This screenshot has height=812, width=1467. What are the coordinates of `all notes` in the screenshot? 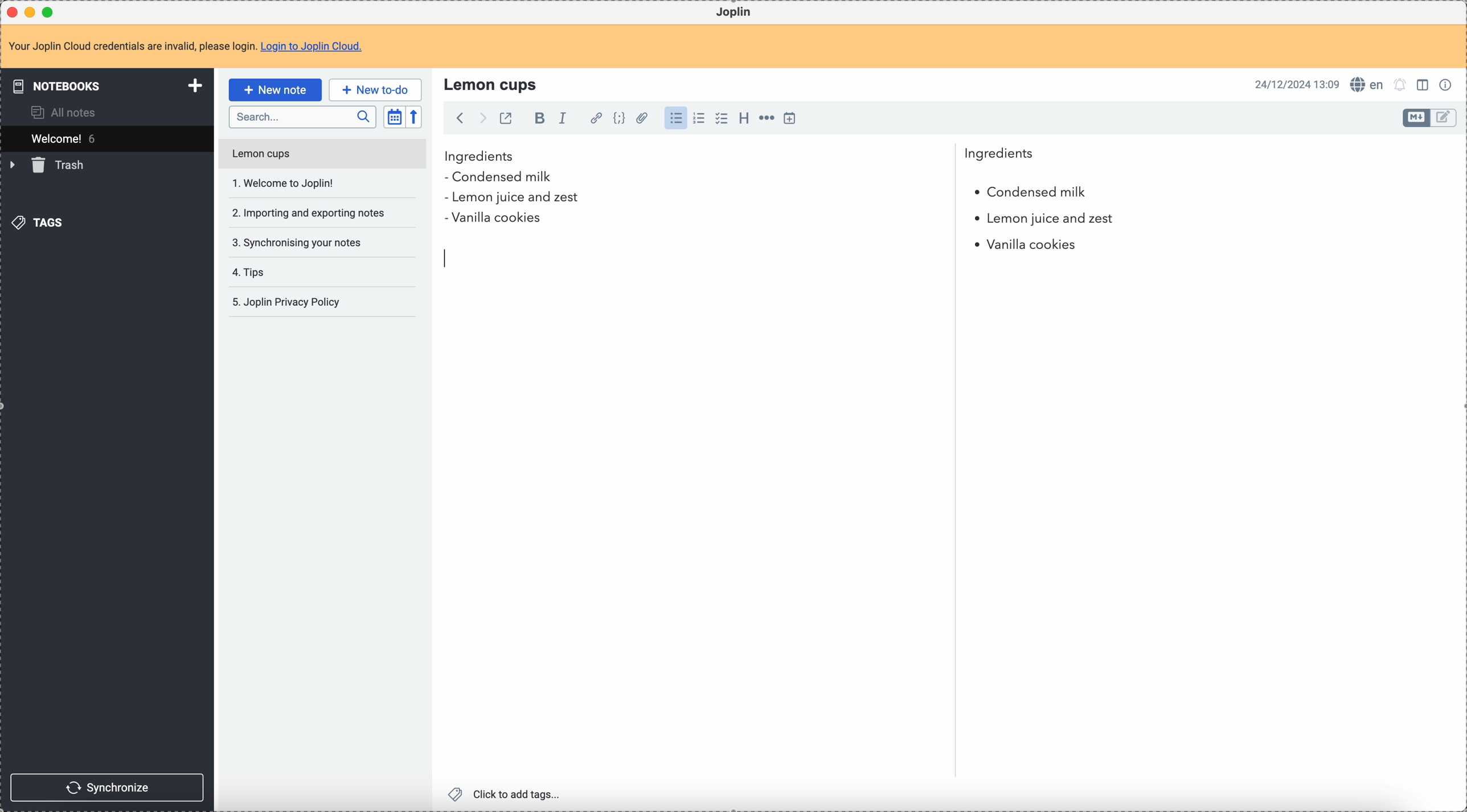 It's located at (67, 112).